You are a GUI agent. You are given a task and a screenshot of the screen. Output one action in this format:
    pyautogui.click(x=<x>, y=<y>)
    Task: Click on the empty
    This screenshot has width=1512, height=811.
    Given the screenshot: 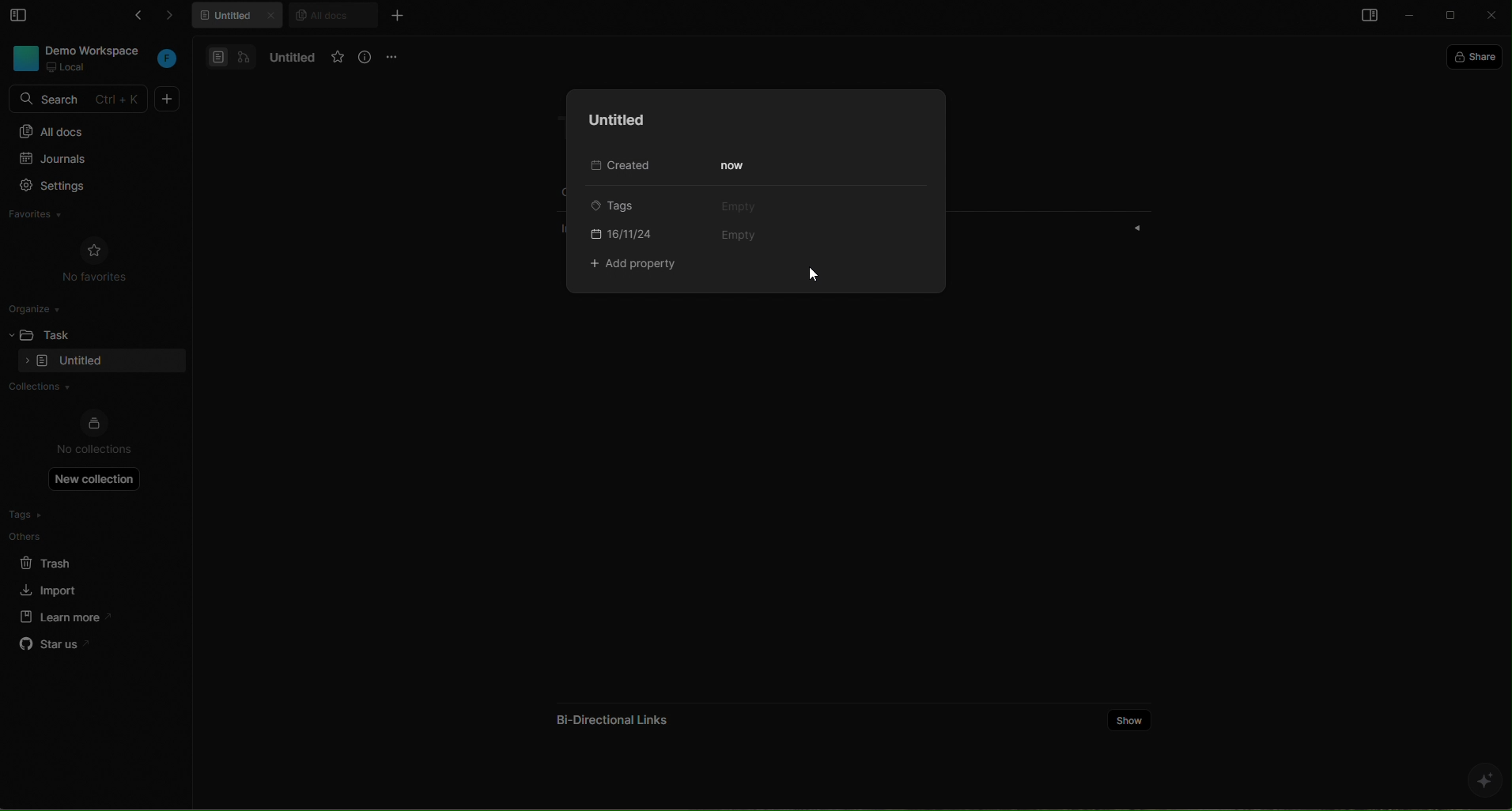 What is the action you would take?
    pyautogui.click(x=741, y=236)
    